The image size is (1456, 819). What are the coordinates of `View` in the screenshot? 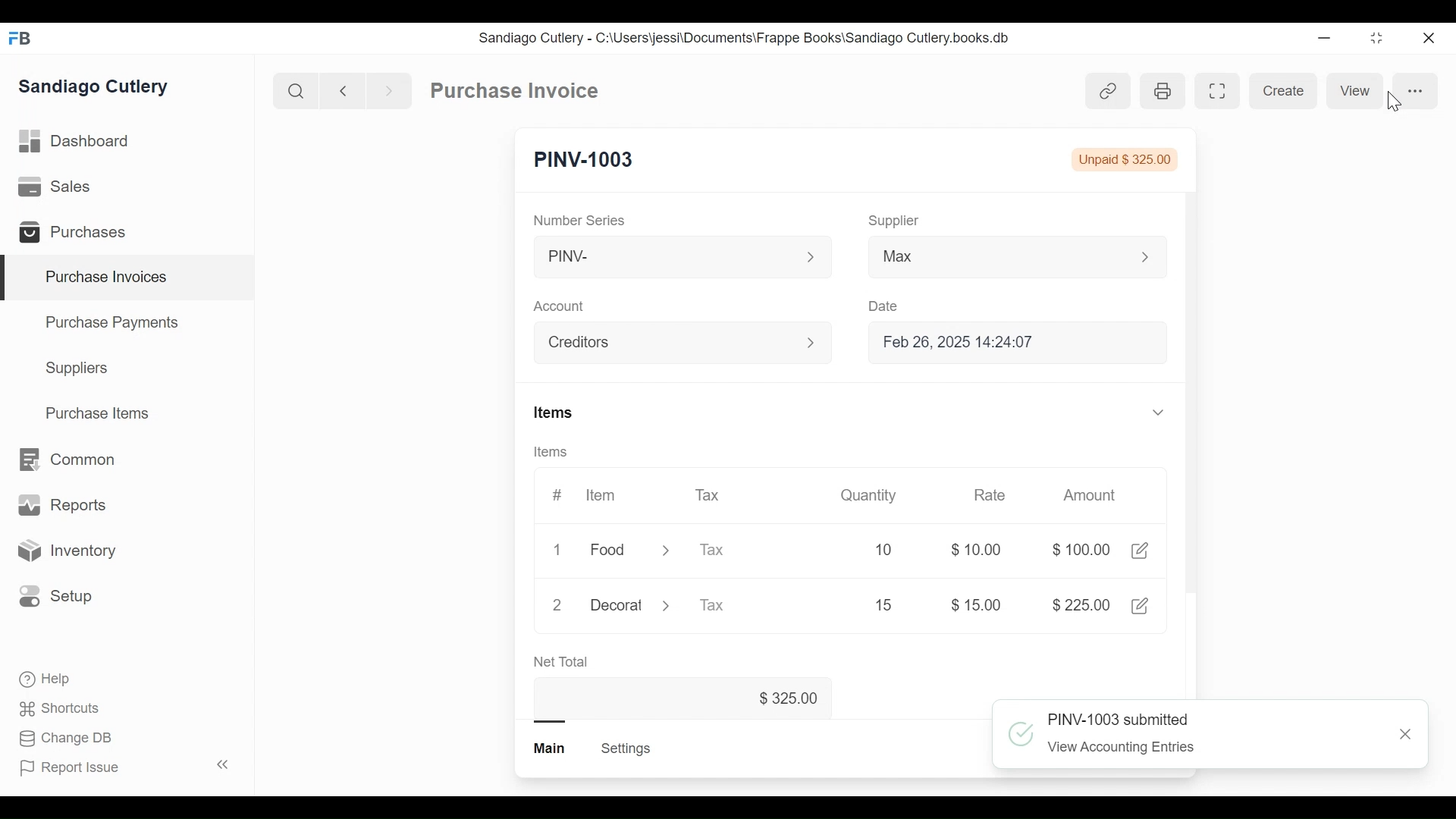 It's located at (1353, 89).